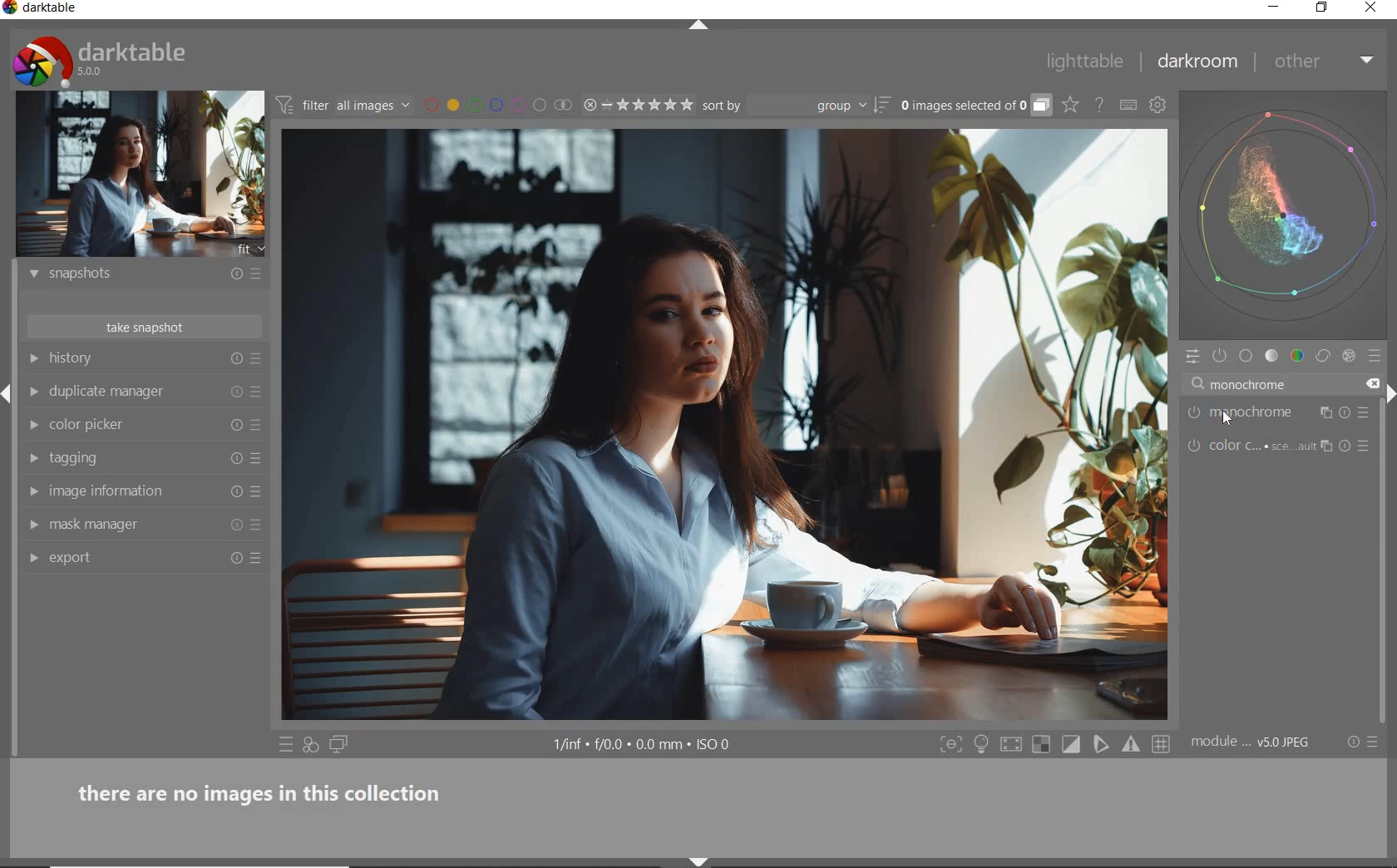  What do you see at coordinates (1364, 416) in the screenshot?
I see `preset and preferences` at bounding box center [1364, 416].